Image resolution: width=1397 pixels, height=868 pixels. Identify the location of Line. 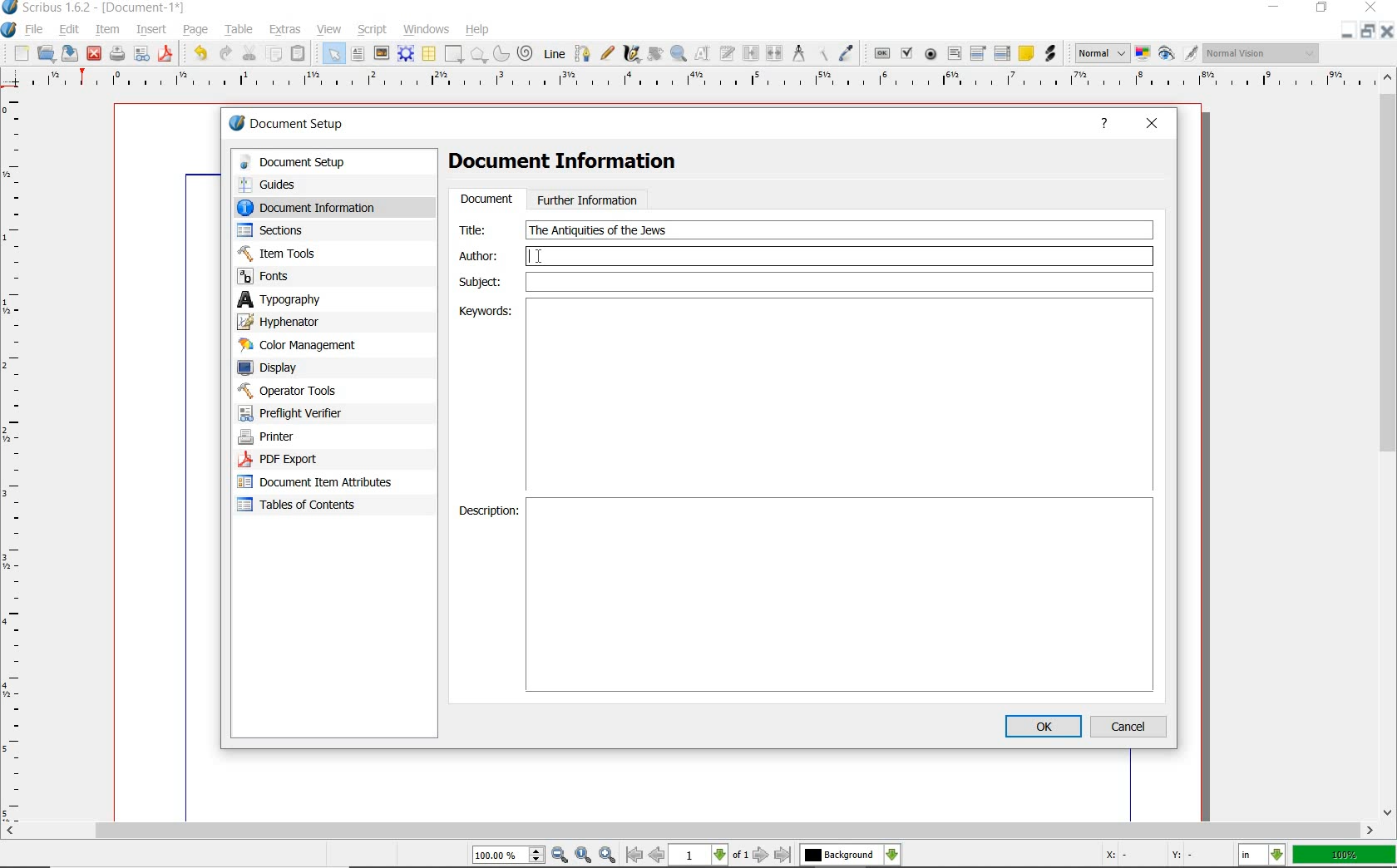
(554, 54).